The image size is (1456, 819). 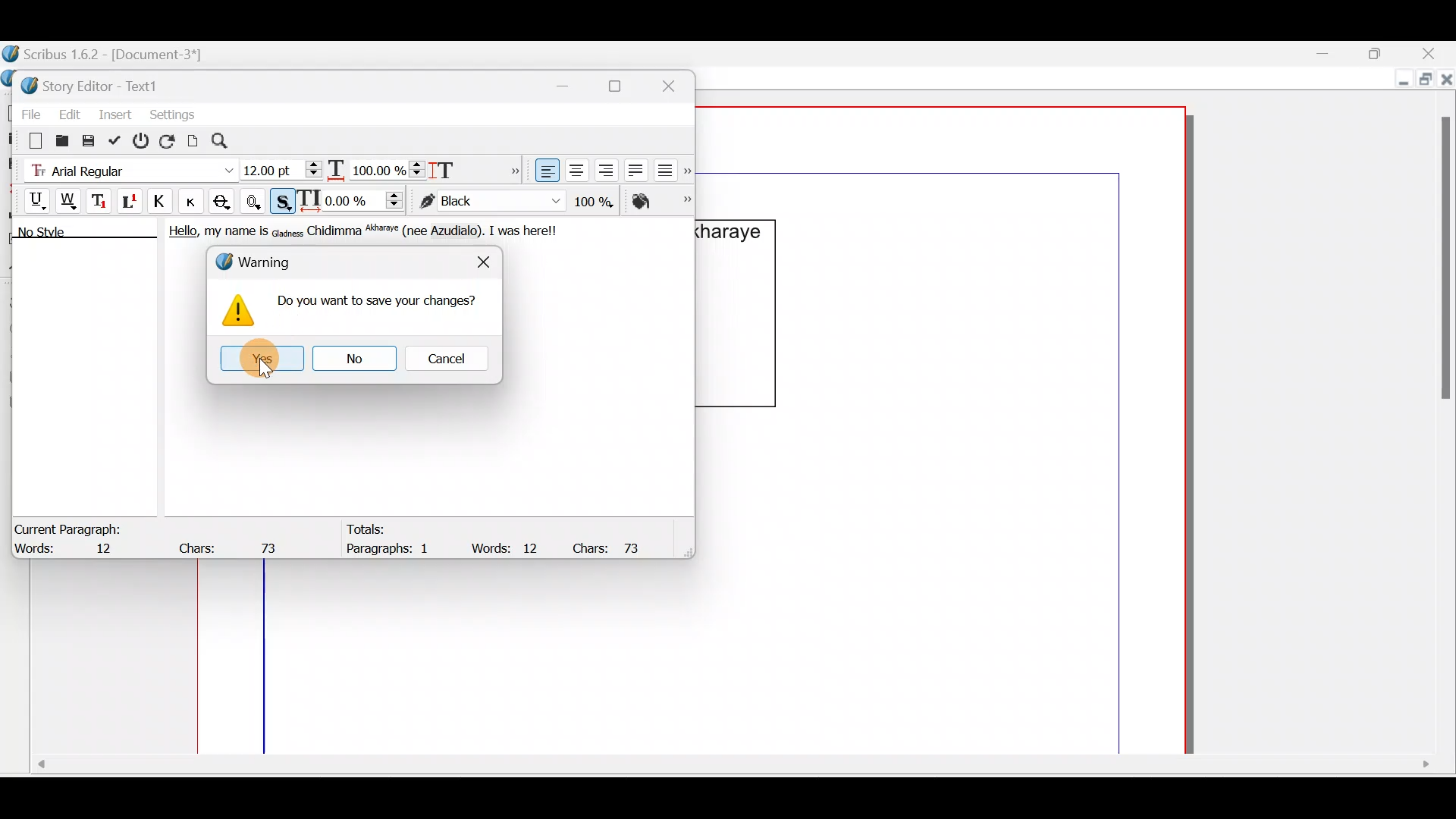 I want to click on Warning, so click(x=261, y=263).